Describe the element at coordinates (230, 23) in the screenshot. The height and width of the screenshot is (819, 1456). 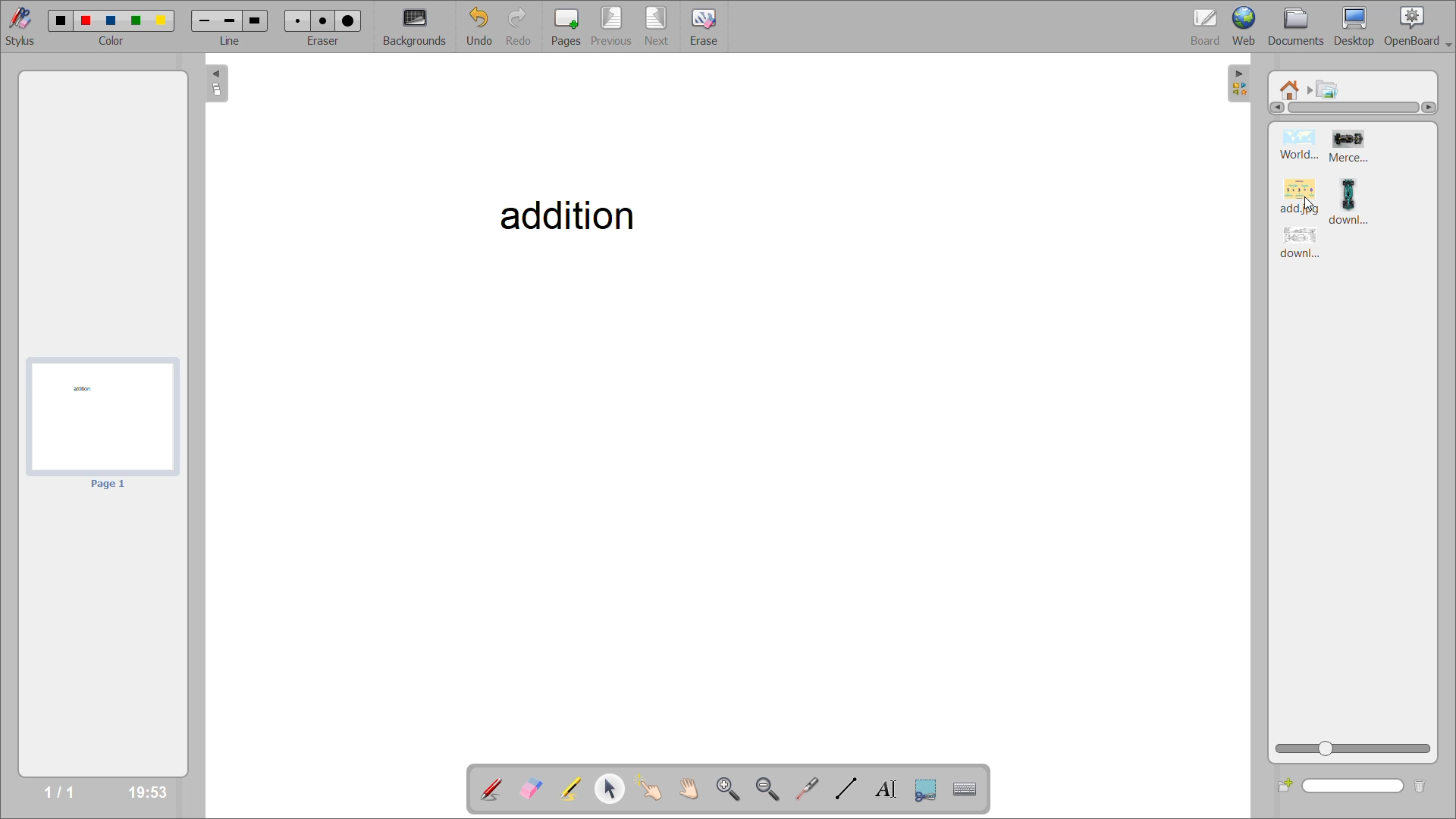
I see `line 2` at that location.